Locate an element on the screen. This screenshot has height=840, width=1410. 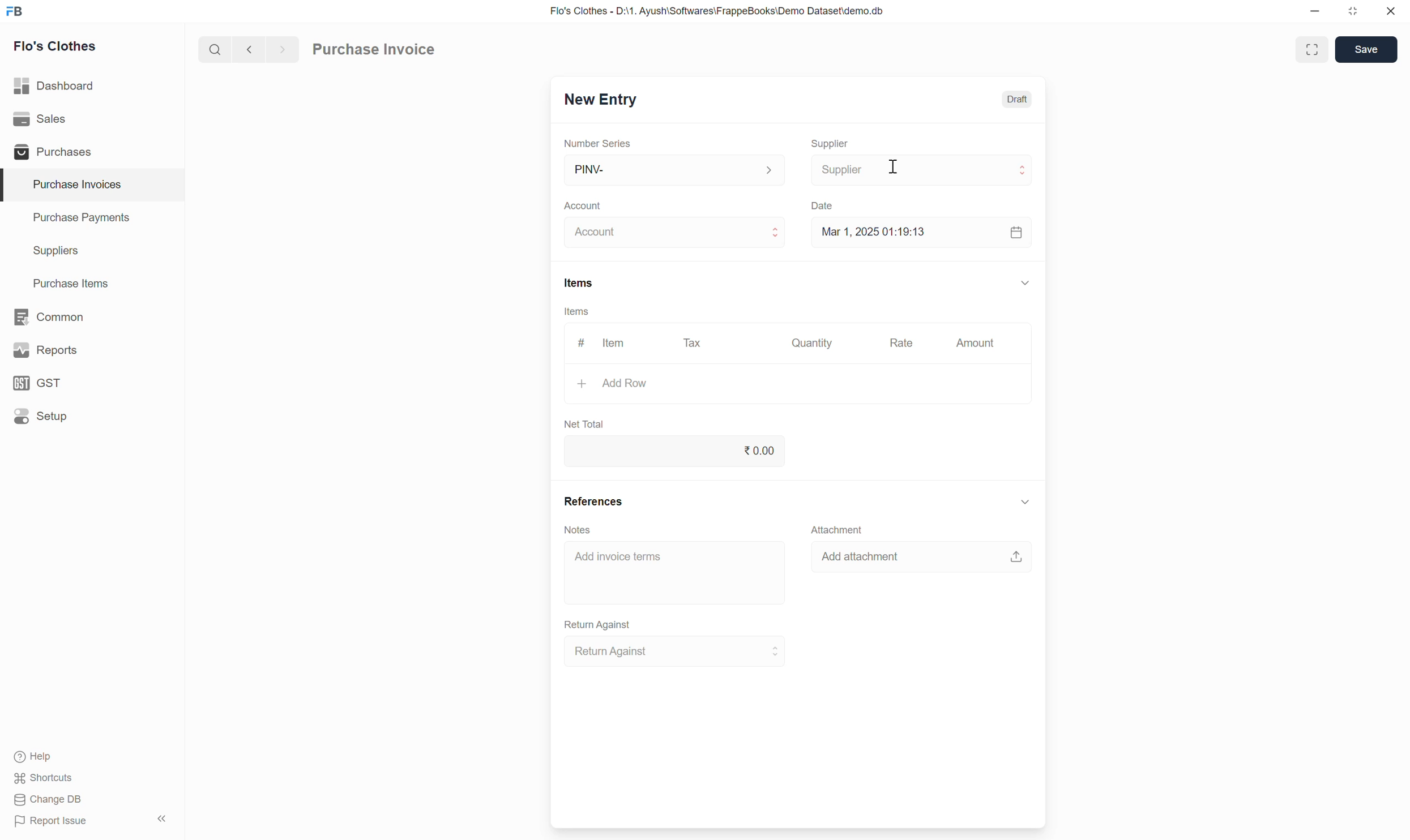
New Entry is located at coordinates (599, 101).